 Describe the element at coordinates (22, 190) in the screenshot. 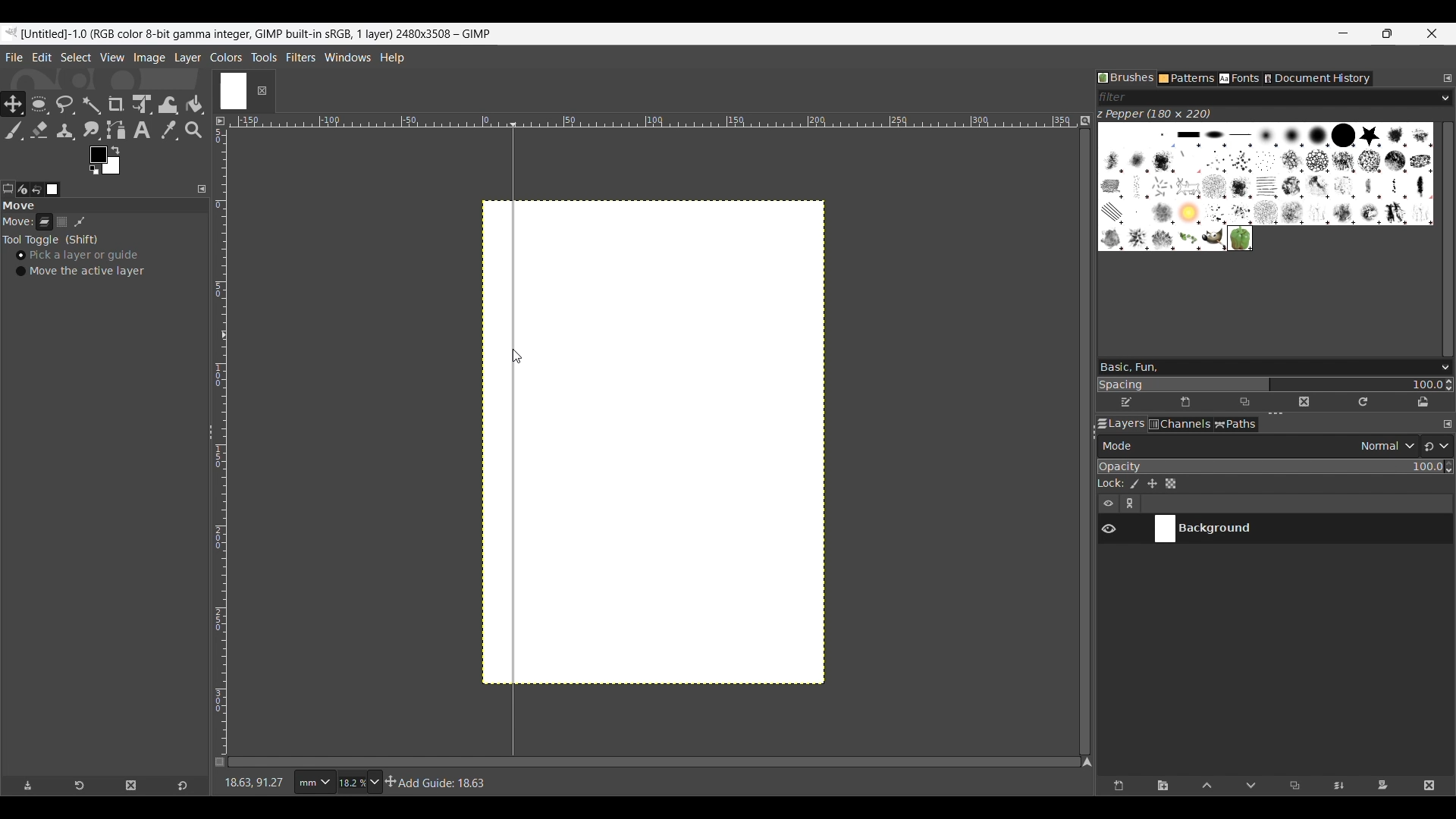

I see `Device status` at that location.